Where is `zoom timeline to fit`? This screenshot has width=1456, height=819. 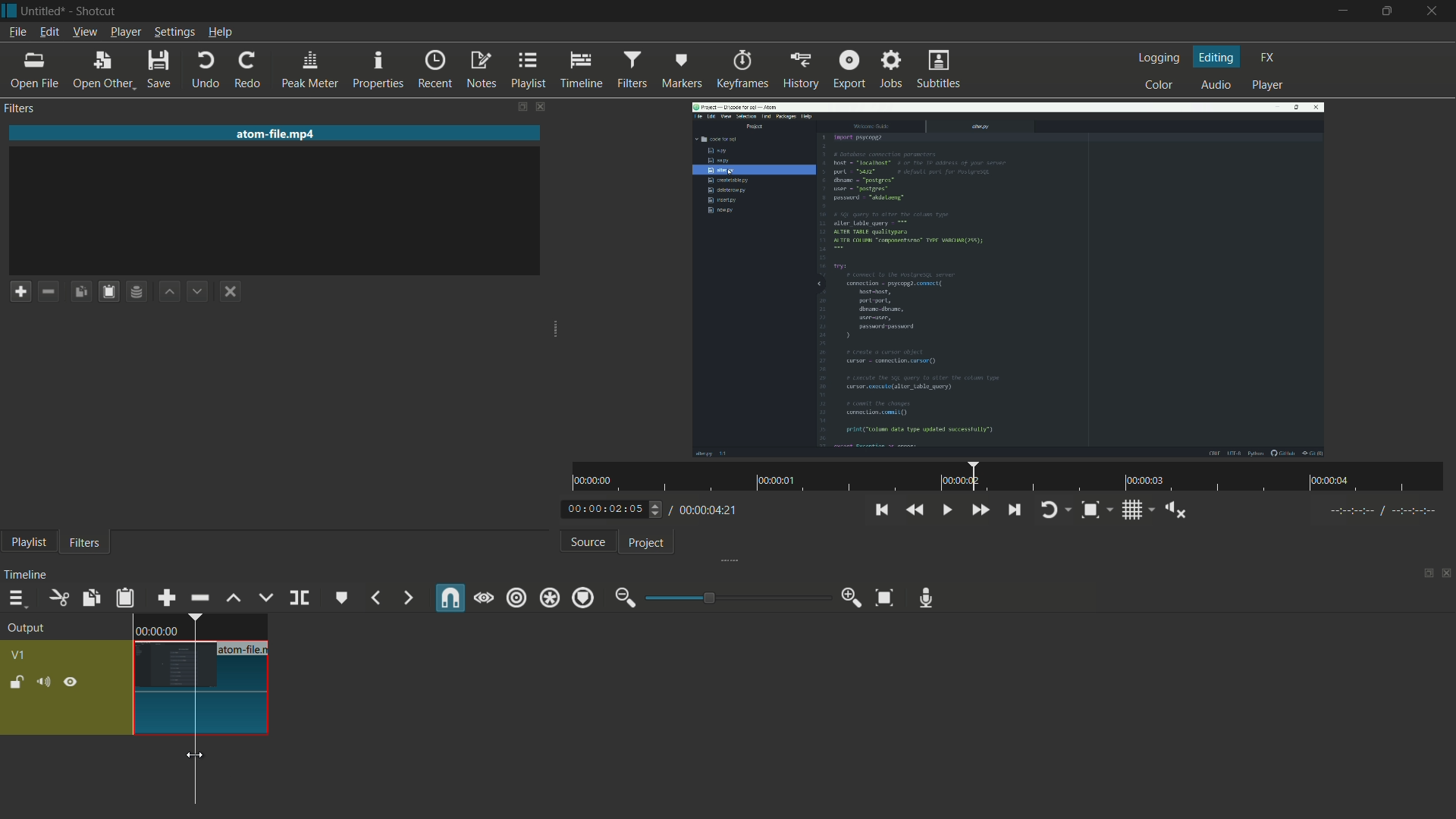
zoom timeline to fit is located at coordinates (883, 598).